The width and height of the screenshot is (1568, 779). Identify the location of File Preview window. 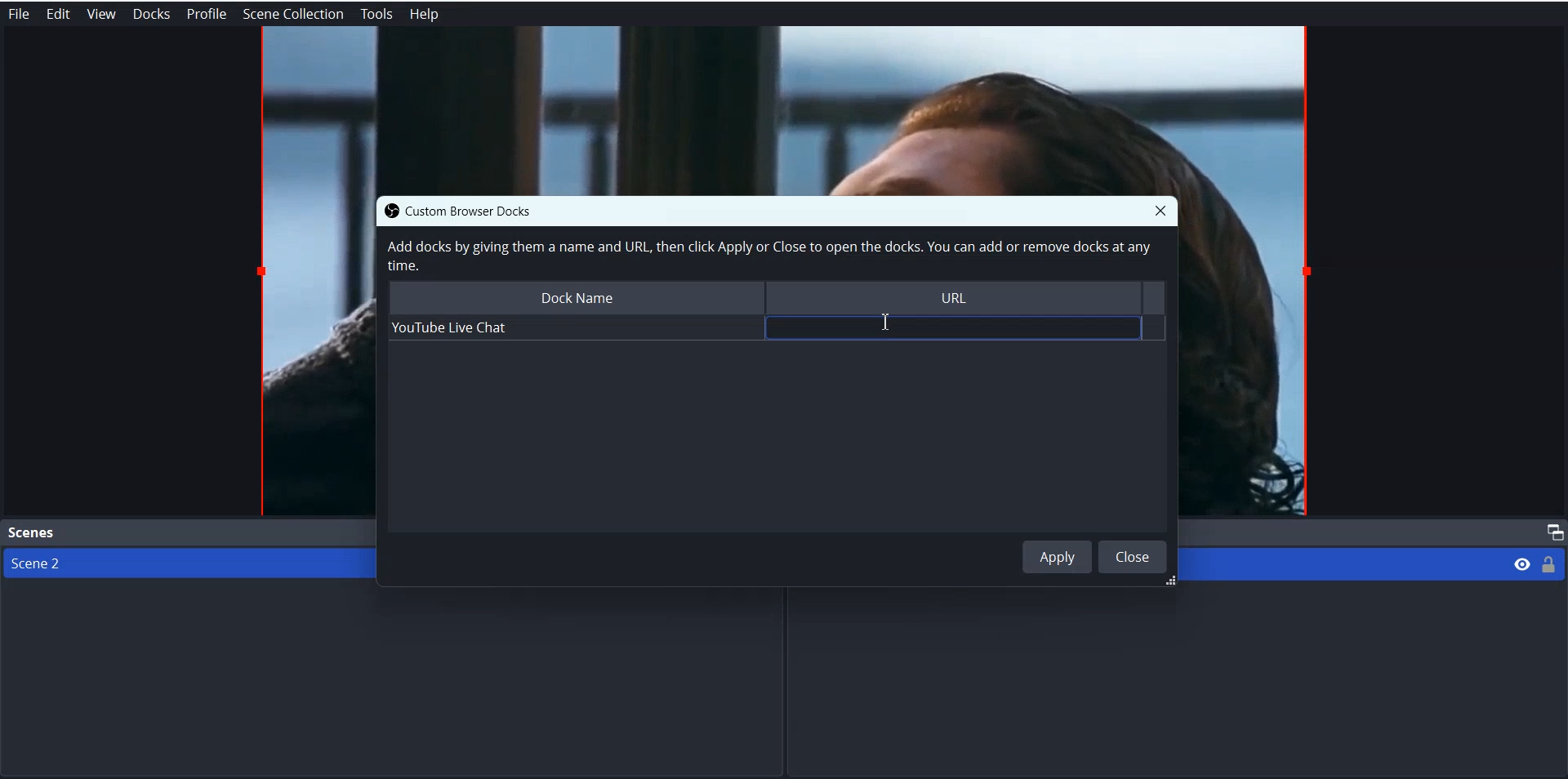
(1249, 358).